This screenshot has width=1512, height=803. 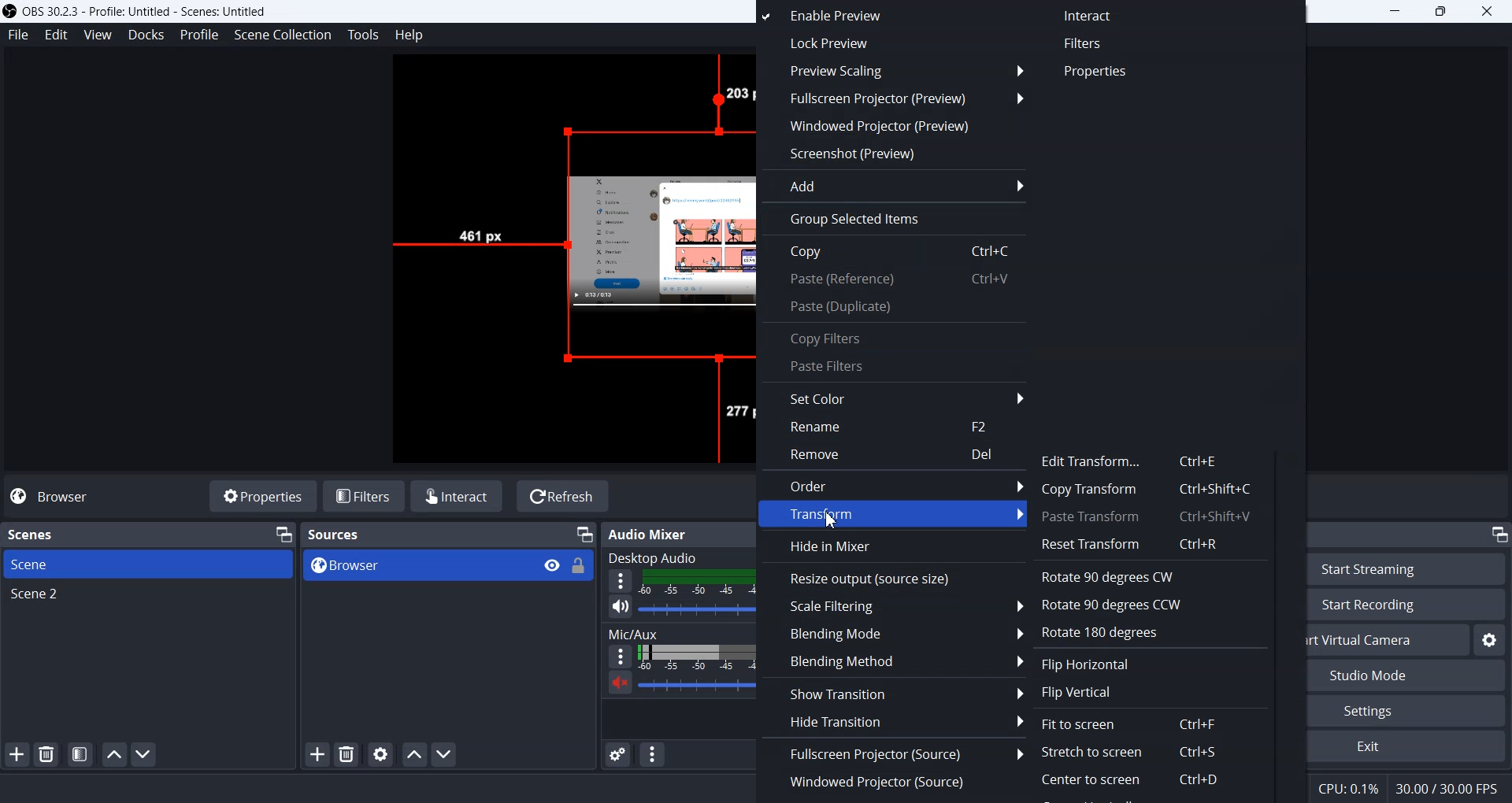 What do you see at coordinates (1132, 754) in the screenshot?
I see `Stretch to screen` at bounding box center [1132, 754].